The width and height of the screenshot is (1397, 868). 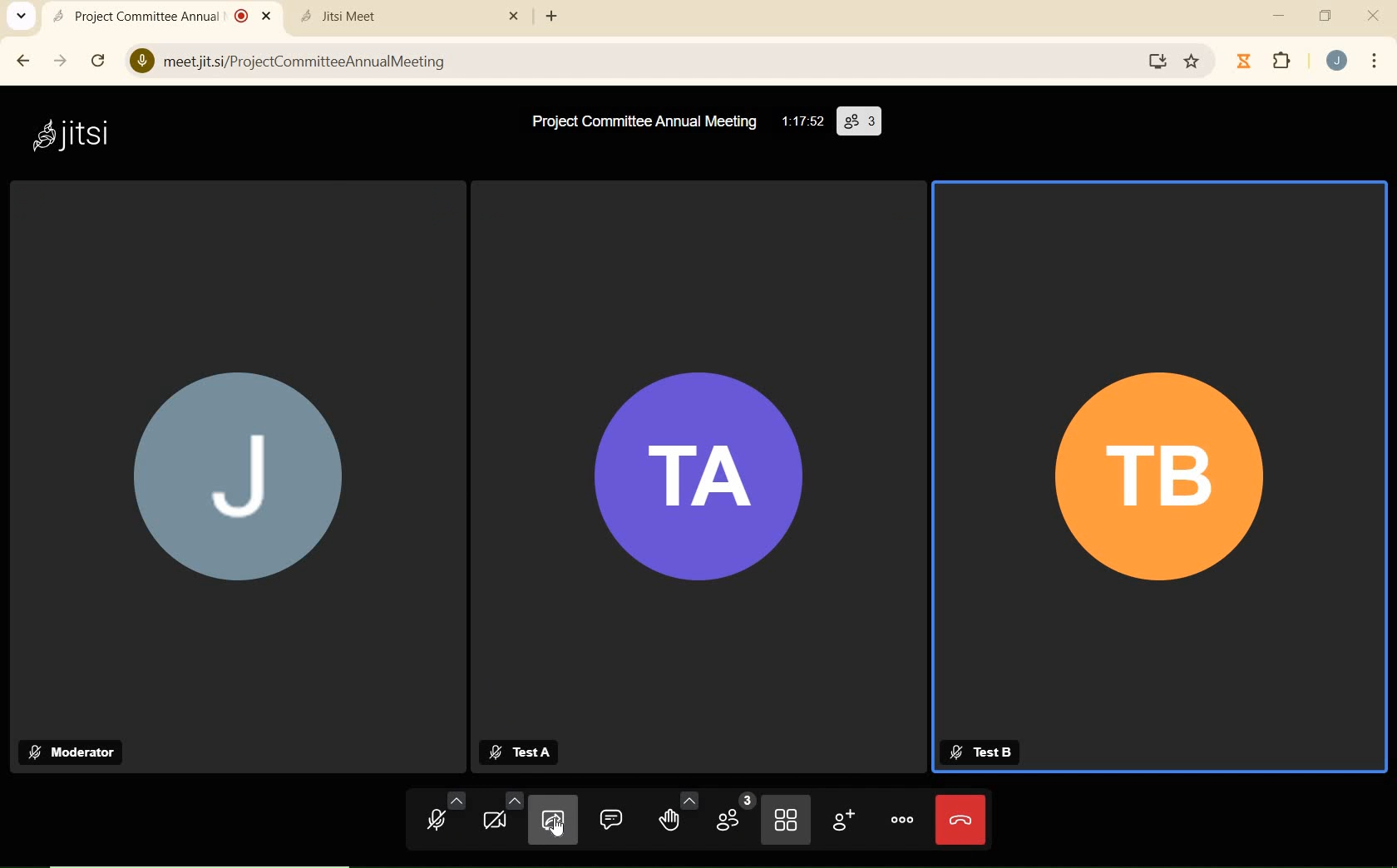 I want to click on raise your hand, so click(x=678, y=812).